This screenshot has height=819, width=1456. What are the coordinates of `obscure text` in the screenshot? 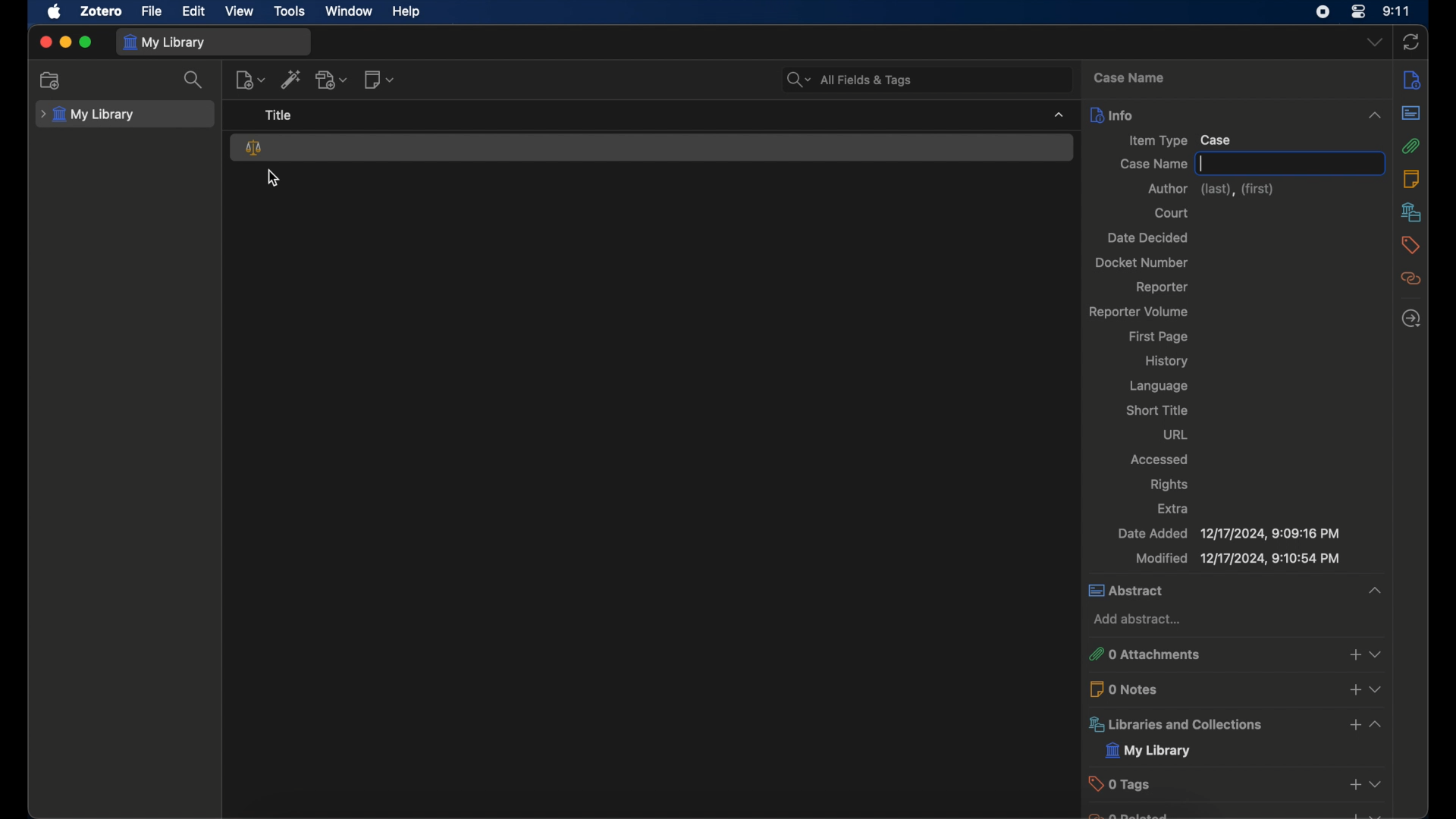 It's located at (1237, 810).